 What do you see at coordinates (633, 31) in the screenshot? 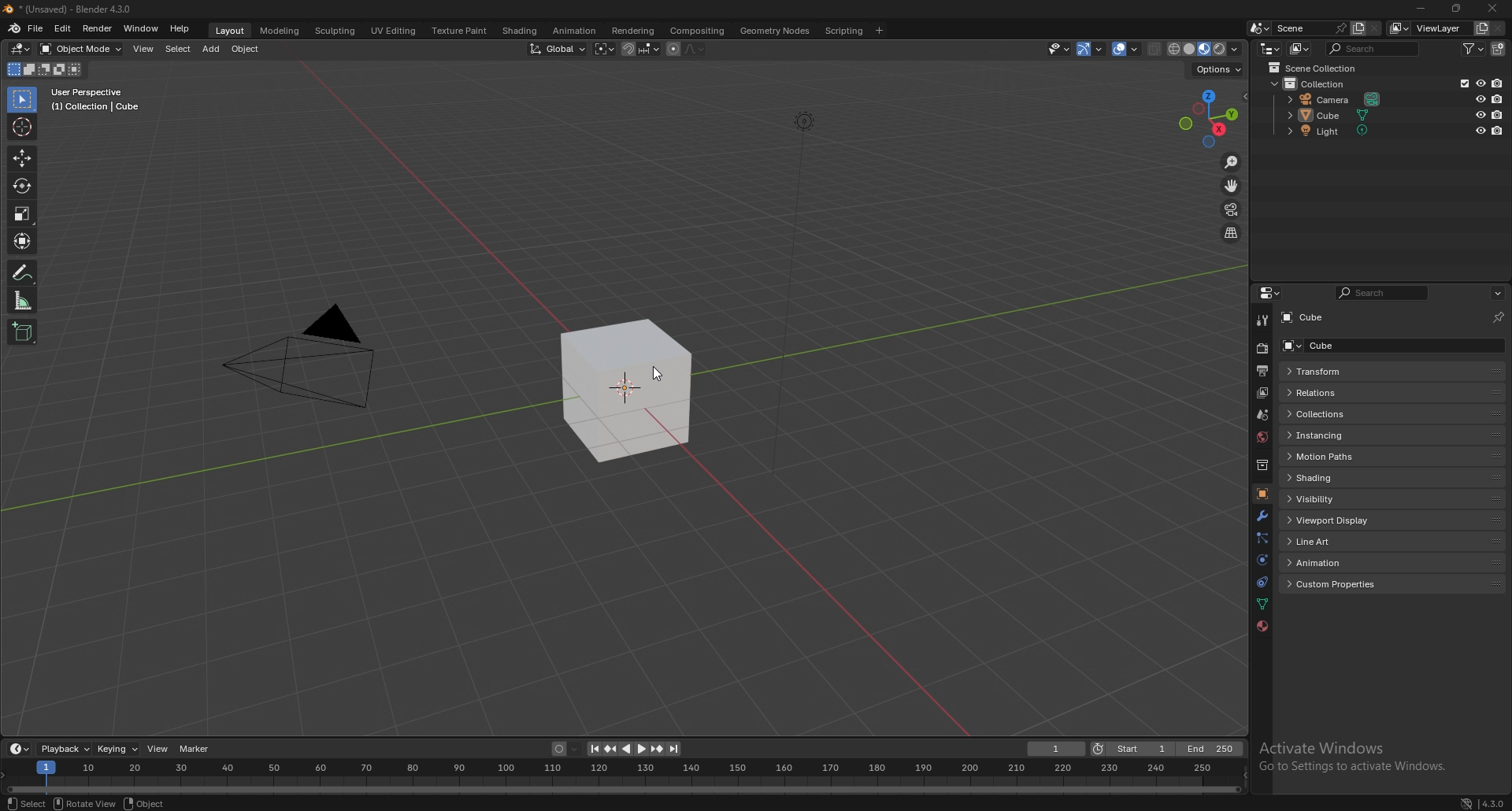
I see `rendering` at bounding box center [633, 31].